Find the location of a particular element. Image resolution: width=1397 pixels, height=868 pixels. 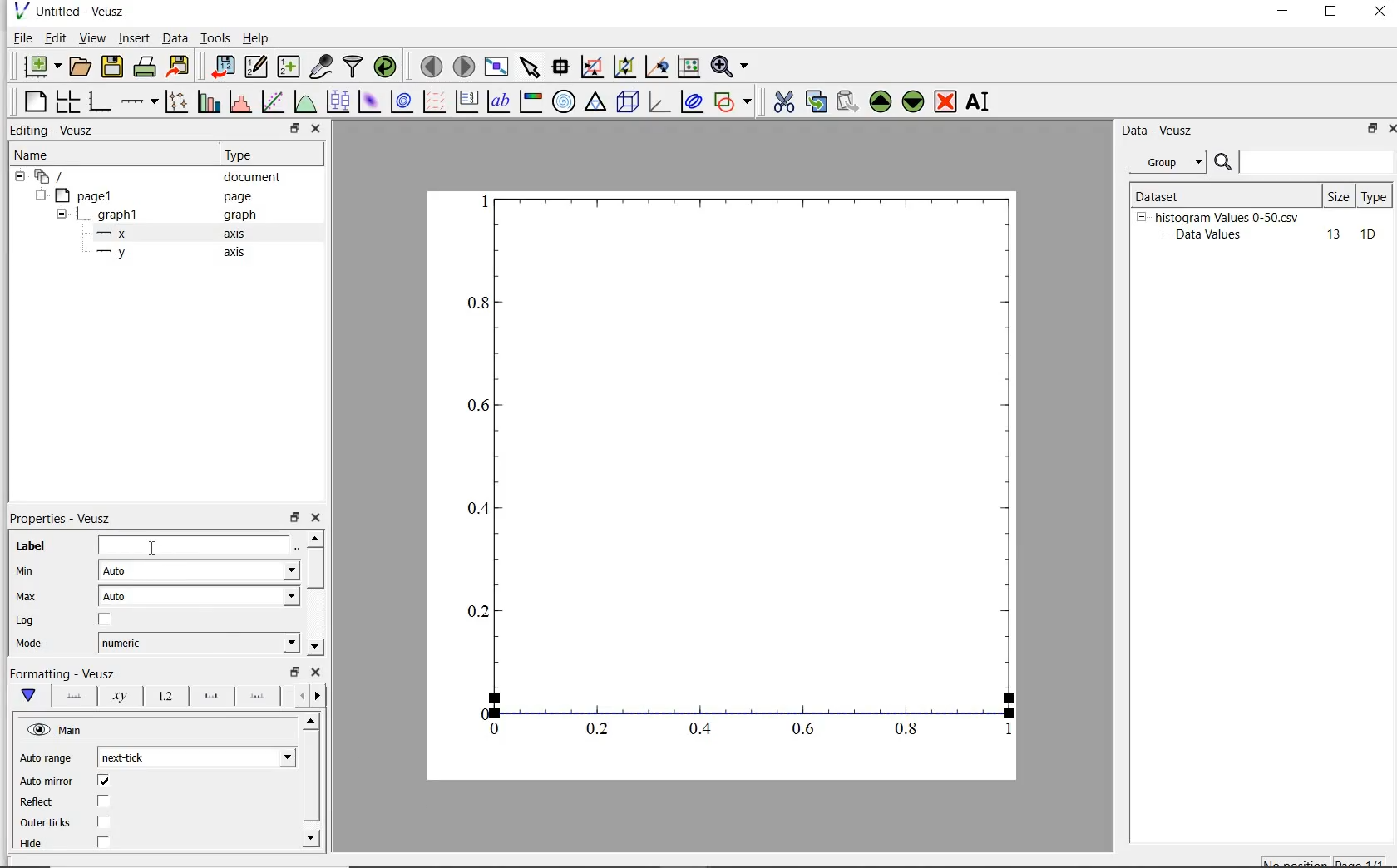

Untitled - Veusz is located at coordinates (84, 11).